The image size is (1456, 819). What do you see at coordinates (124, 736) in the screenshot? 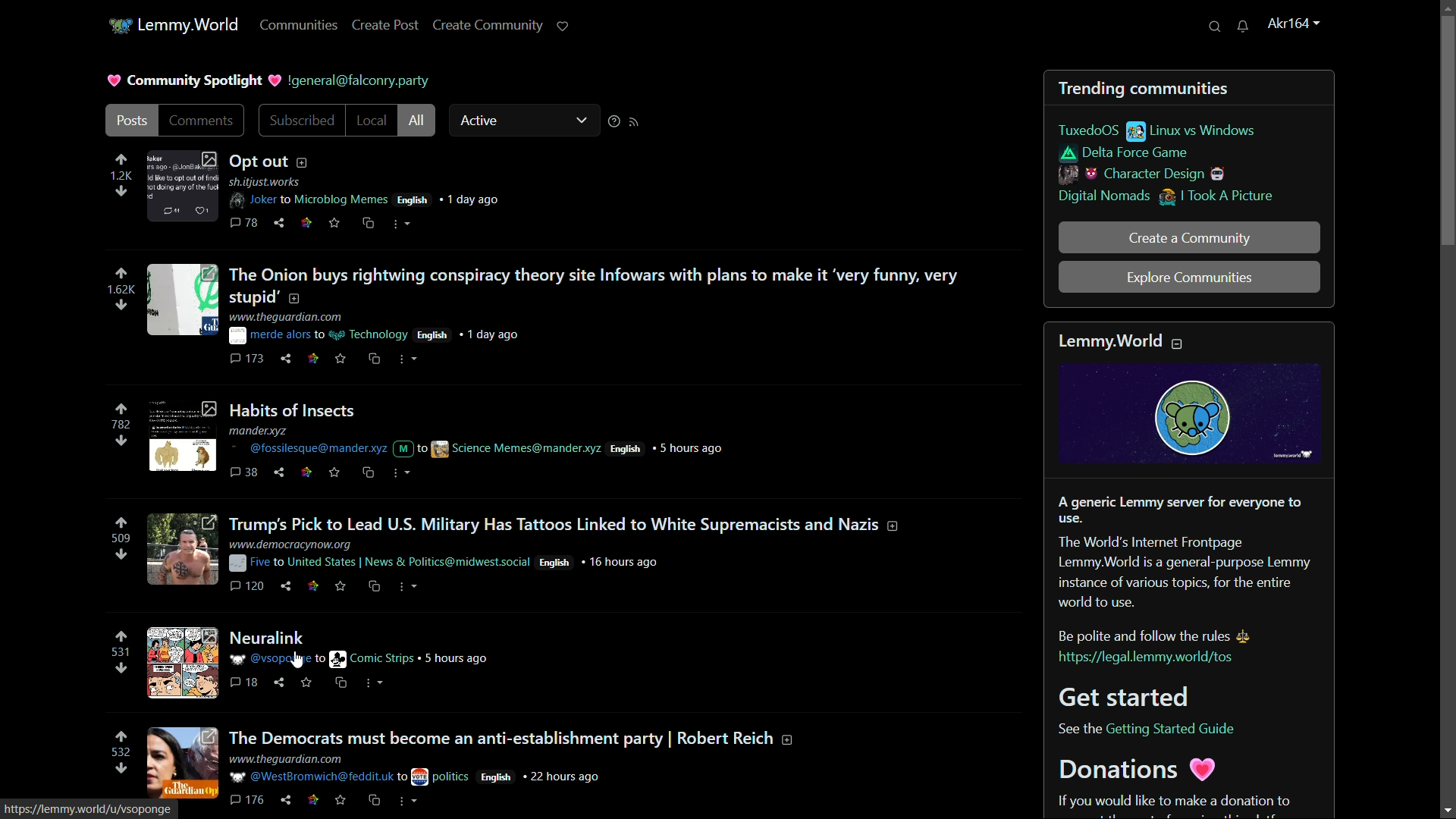
I see `upvote` at bounding box center [124, 736].